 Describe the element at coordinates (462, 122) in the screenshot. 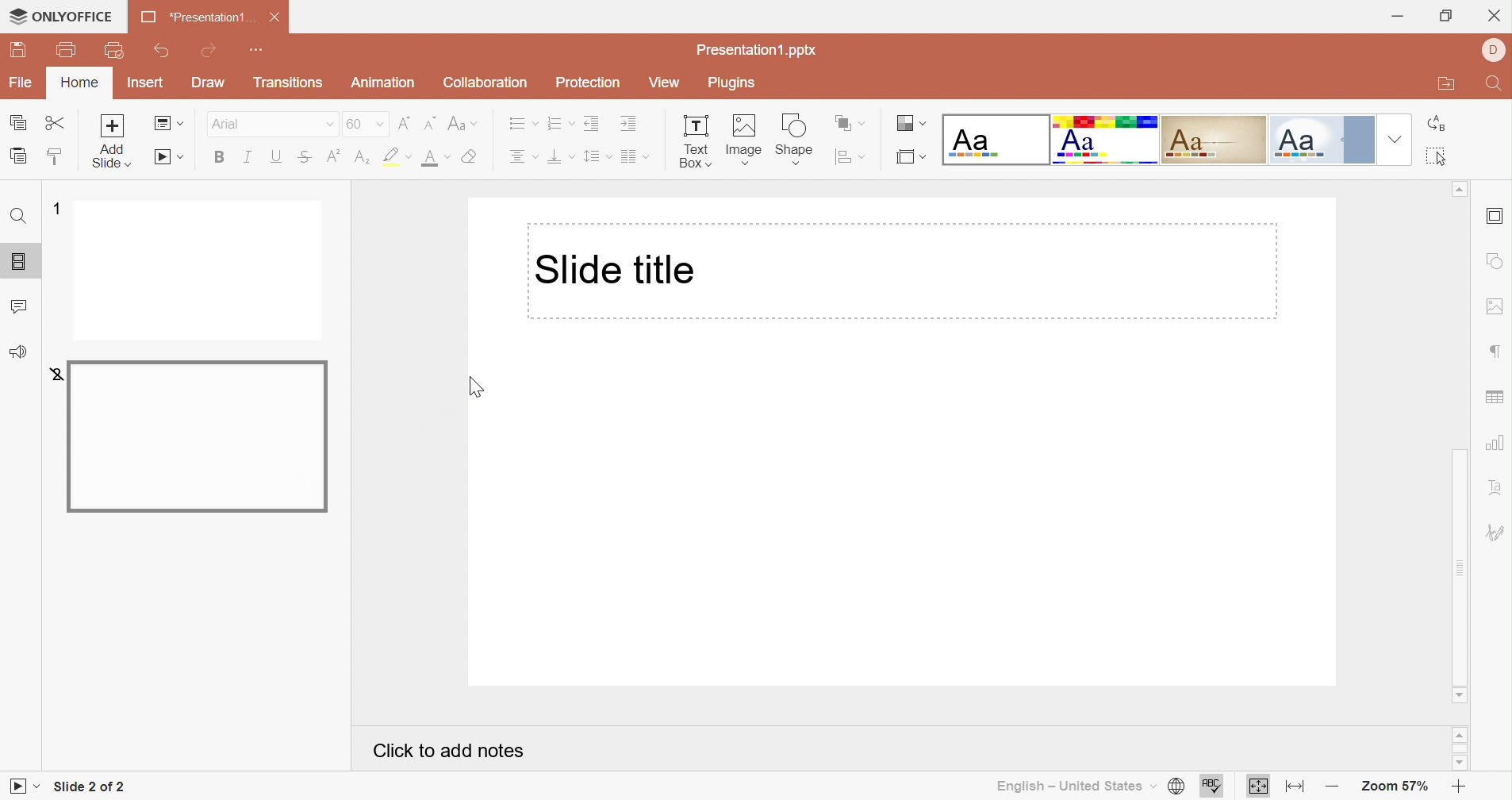

I see `Change case` at that location.